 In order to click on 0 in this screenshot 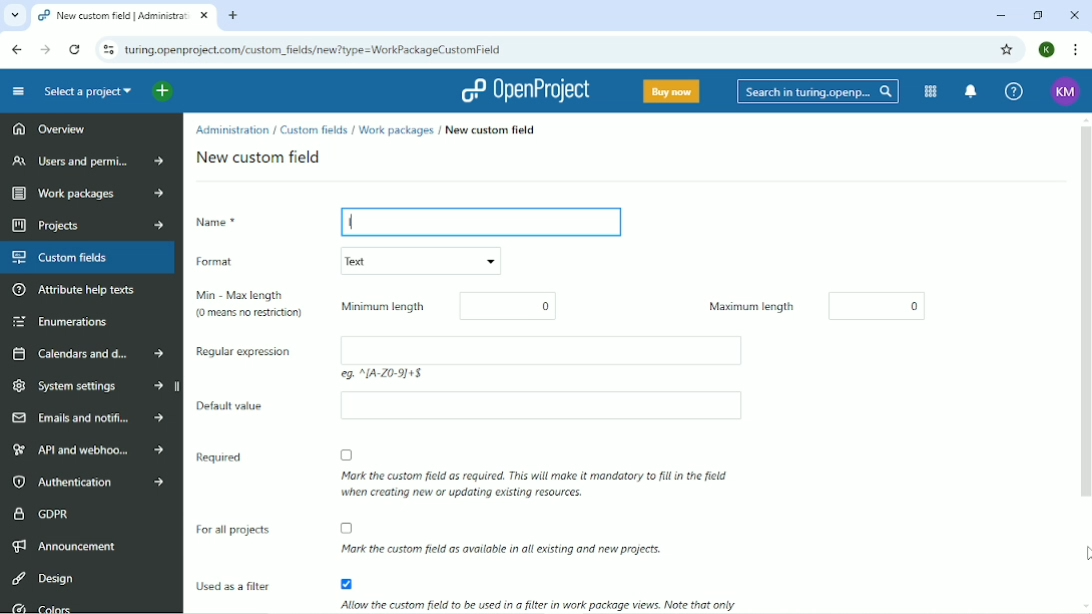, I will do `click(518, 304)`.